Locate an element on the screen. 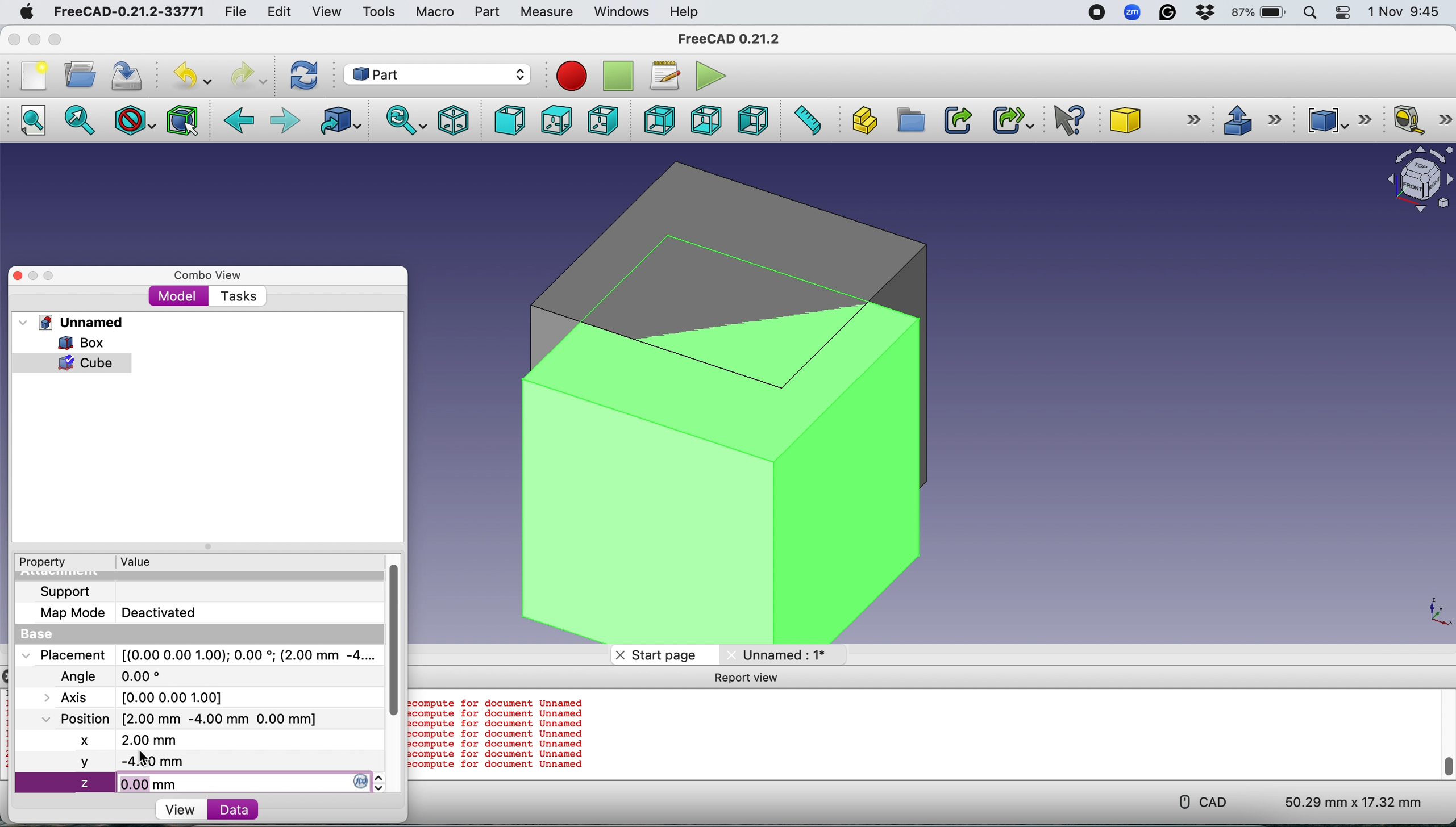  Sync view is located at coordinates (402, 120).